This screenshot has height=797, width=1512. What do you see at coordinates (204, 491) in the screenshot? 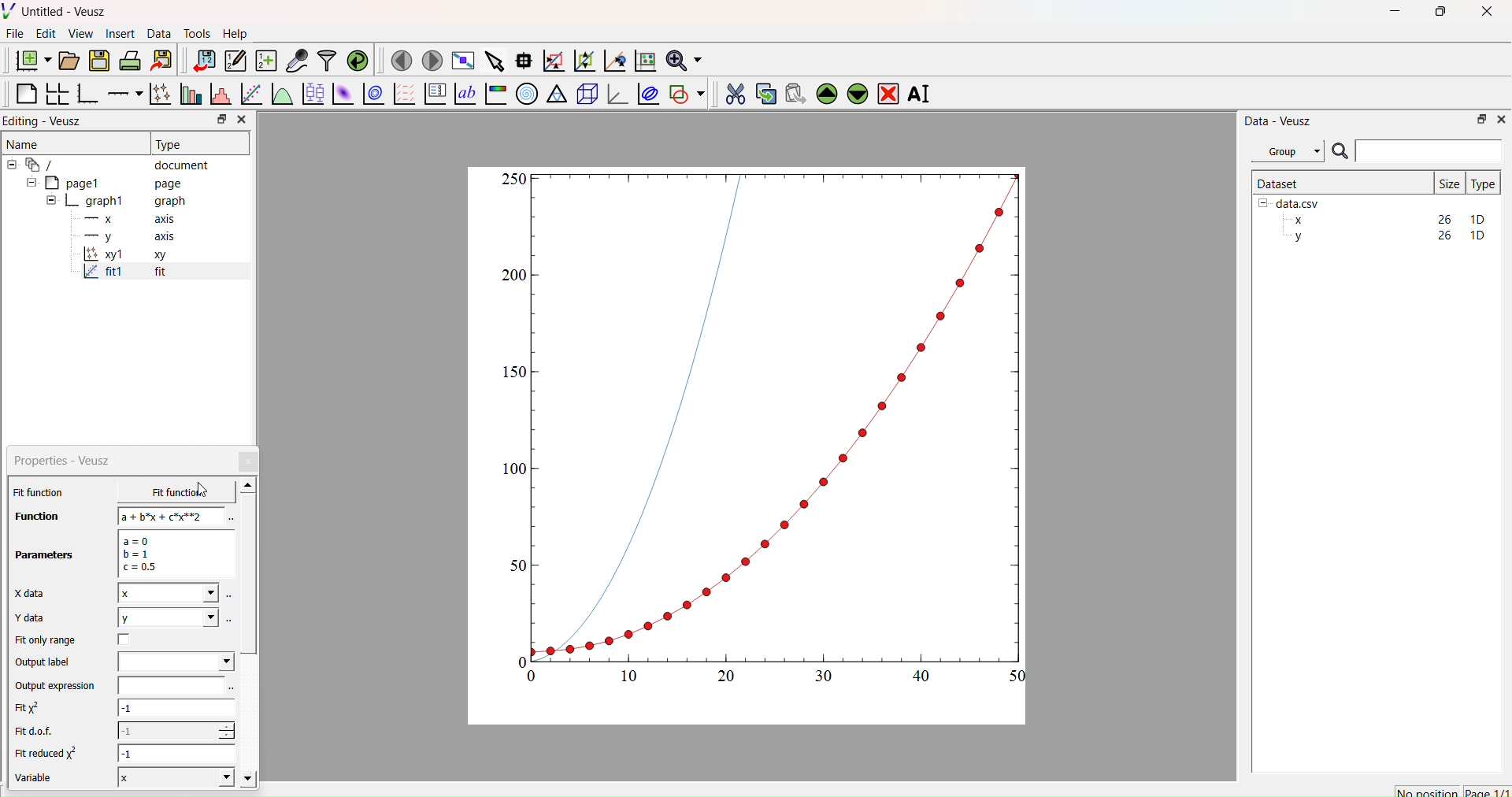
I see `Cursor` at bounding box center [204, 491].